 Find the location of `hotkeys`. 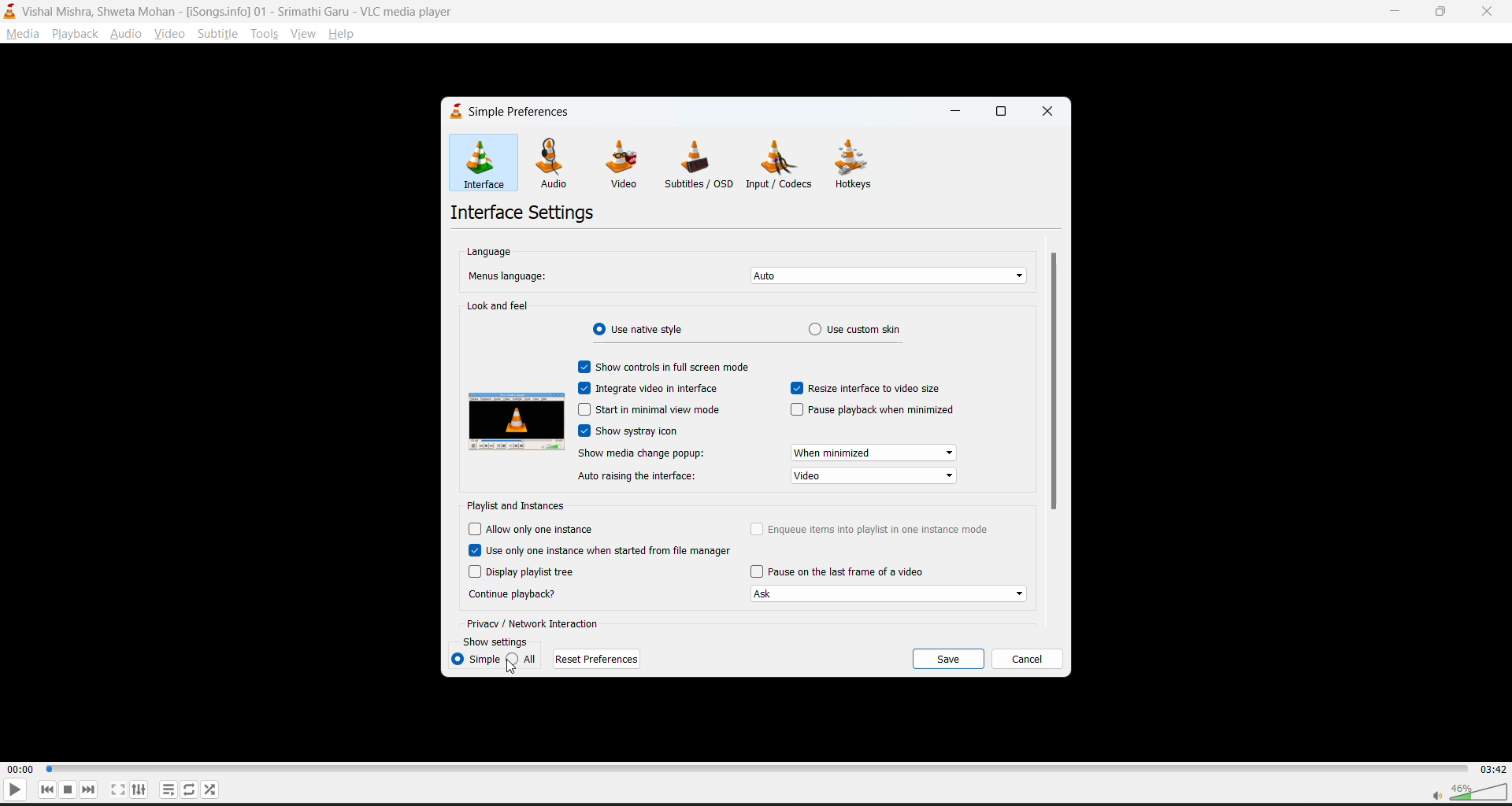

hotkeys is located at coordinates (858, 162).